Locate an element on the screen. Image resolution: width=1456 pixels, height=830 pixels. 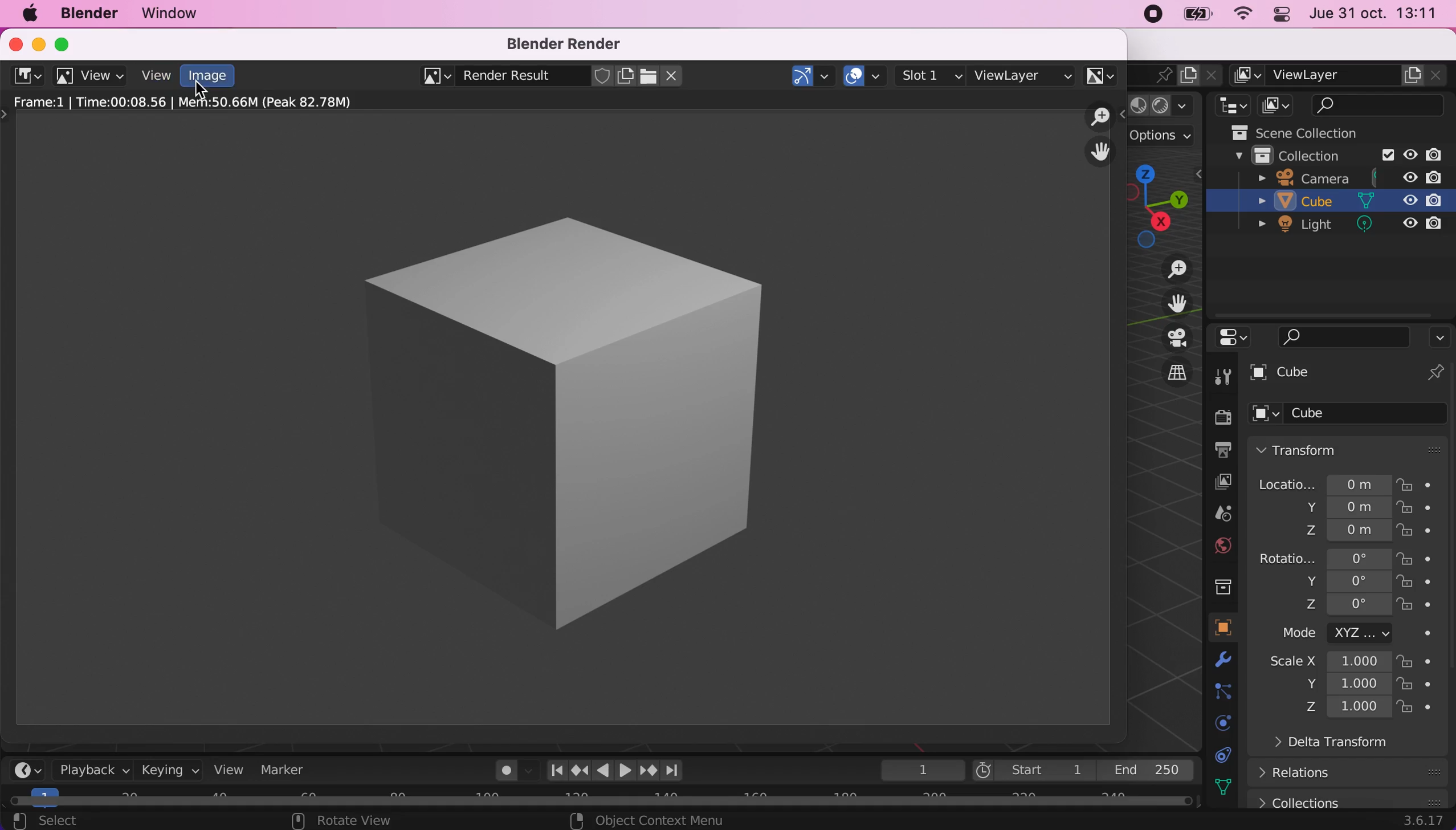
lock is located at coordinates (1416, 533).